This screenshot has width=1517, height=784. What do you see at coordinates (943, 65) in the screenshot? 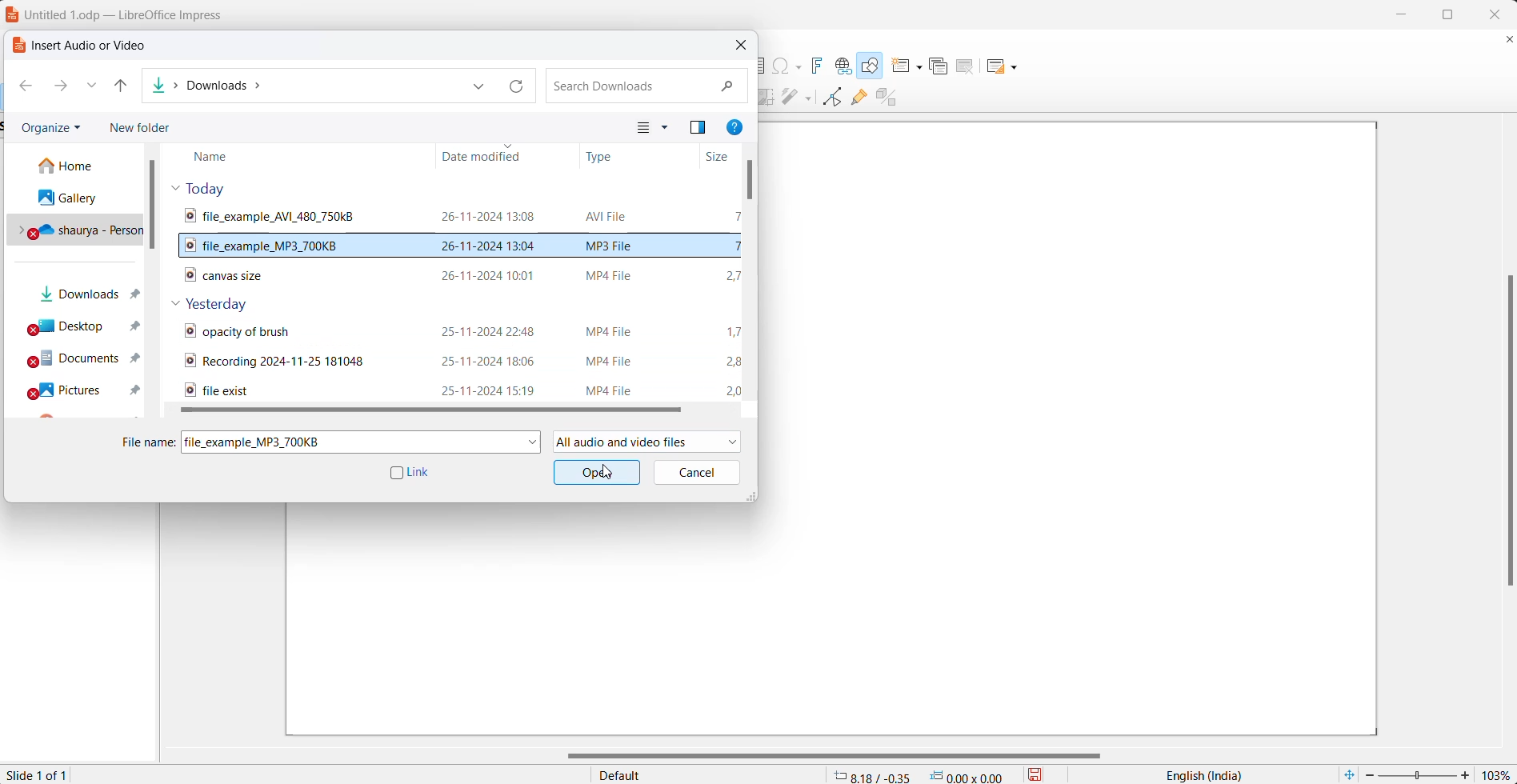
I see `duplicate slide` at bounding box center [943, 65].